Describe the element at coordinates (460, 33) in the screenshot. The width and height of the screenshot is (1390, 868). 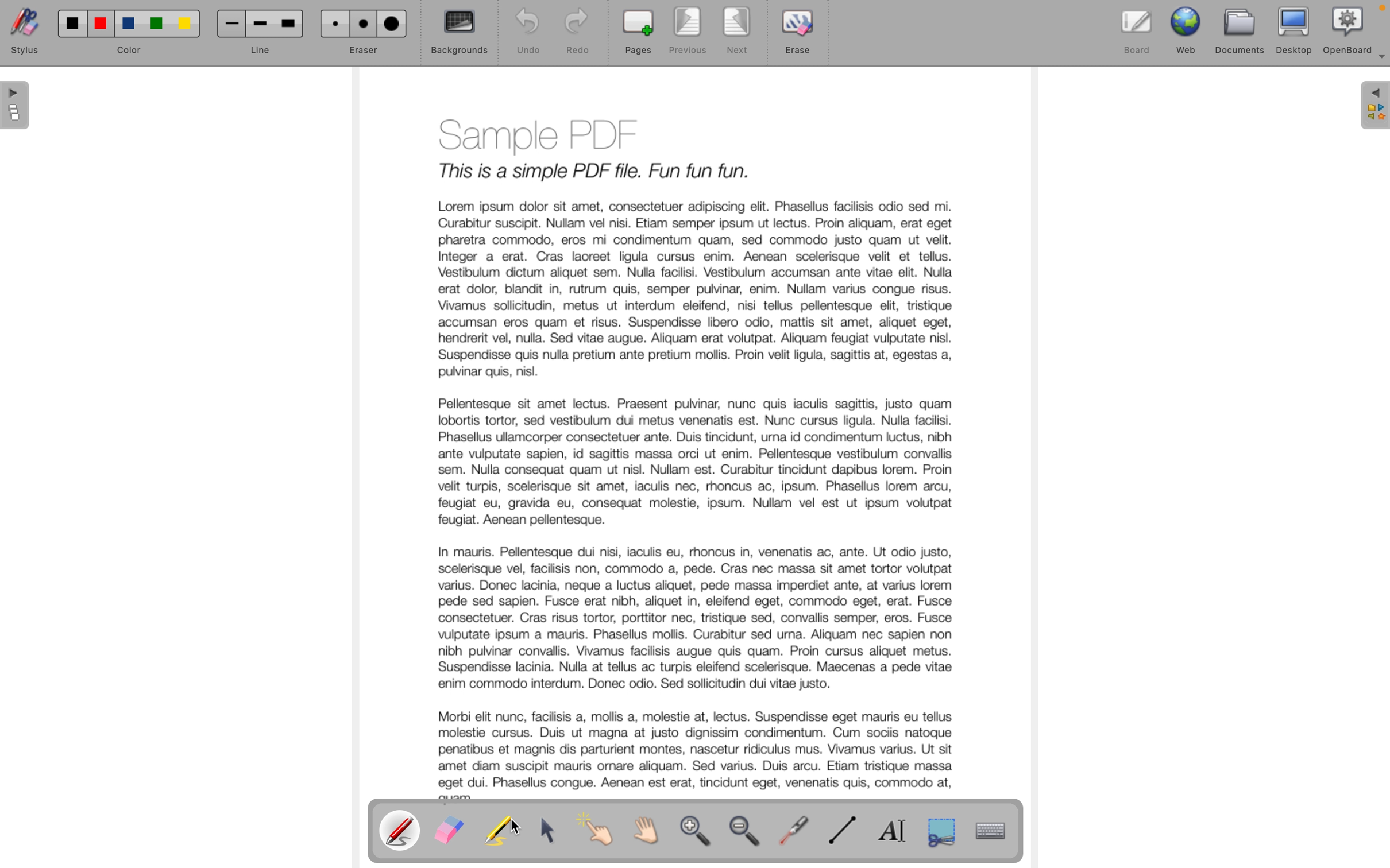
I see `backgrounds` at that location.